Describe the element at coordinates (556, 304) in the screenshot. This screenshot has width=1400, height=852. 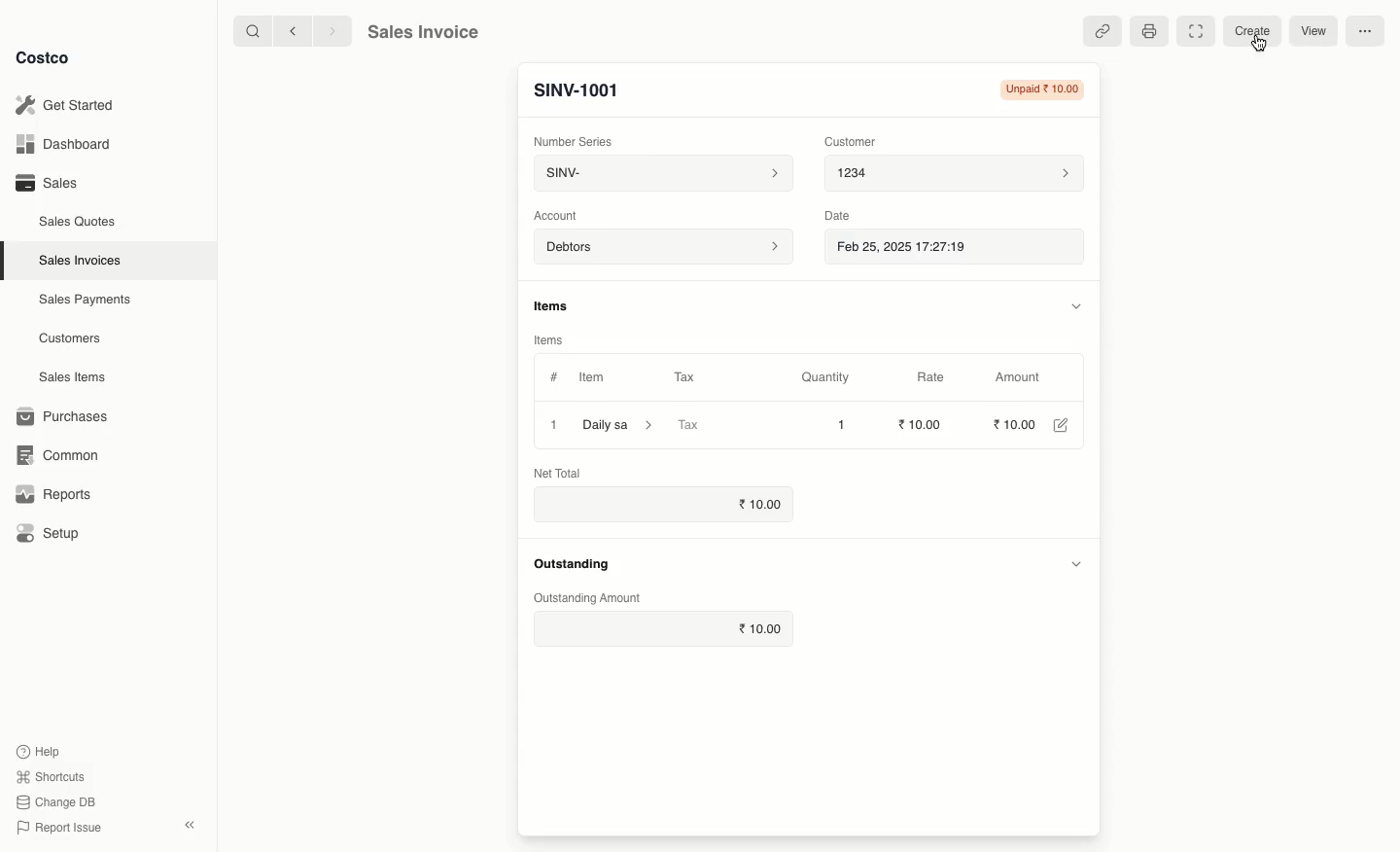
I see `` at that location.